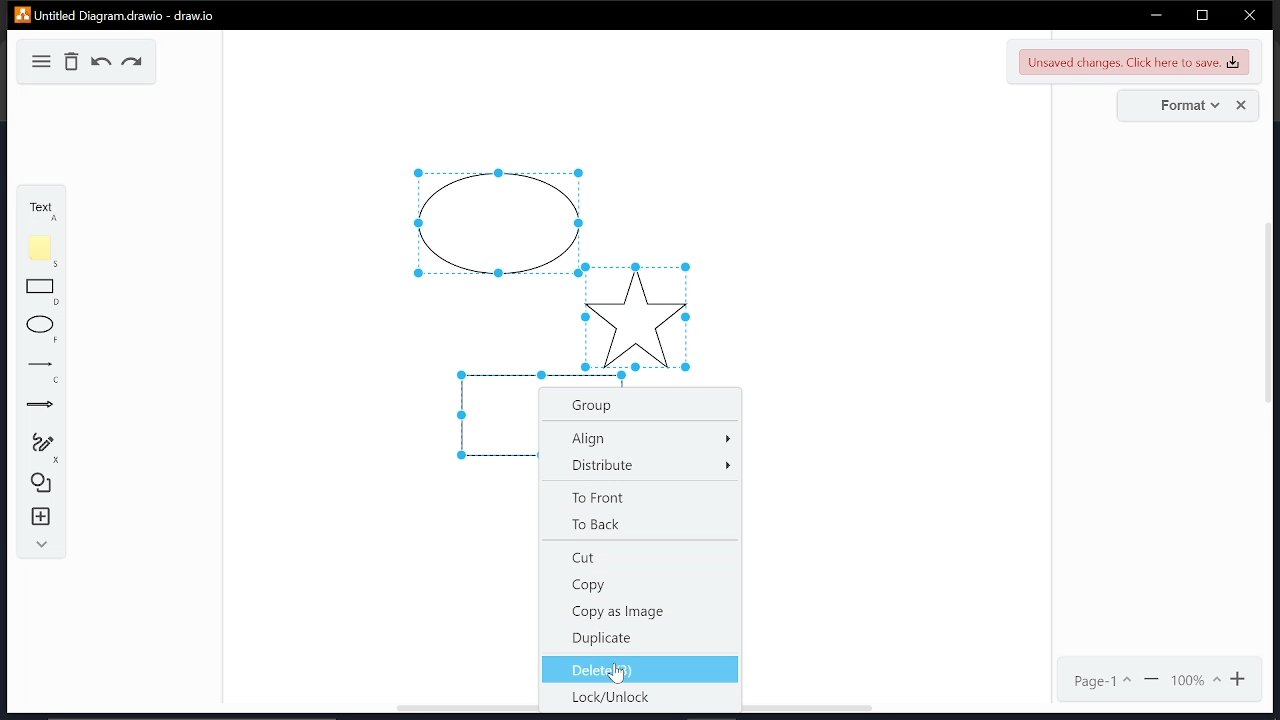  What do you see at coordinates (133, 64) in the screenshot?
I see `redo` at bounding box center [133, 64].